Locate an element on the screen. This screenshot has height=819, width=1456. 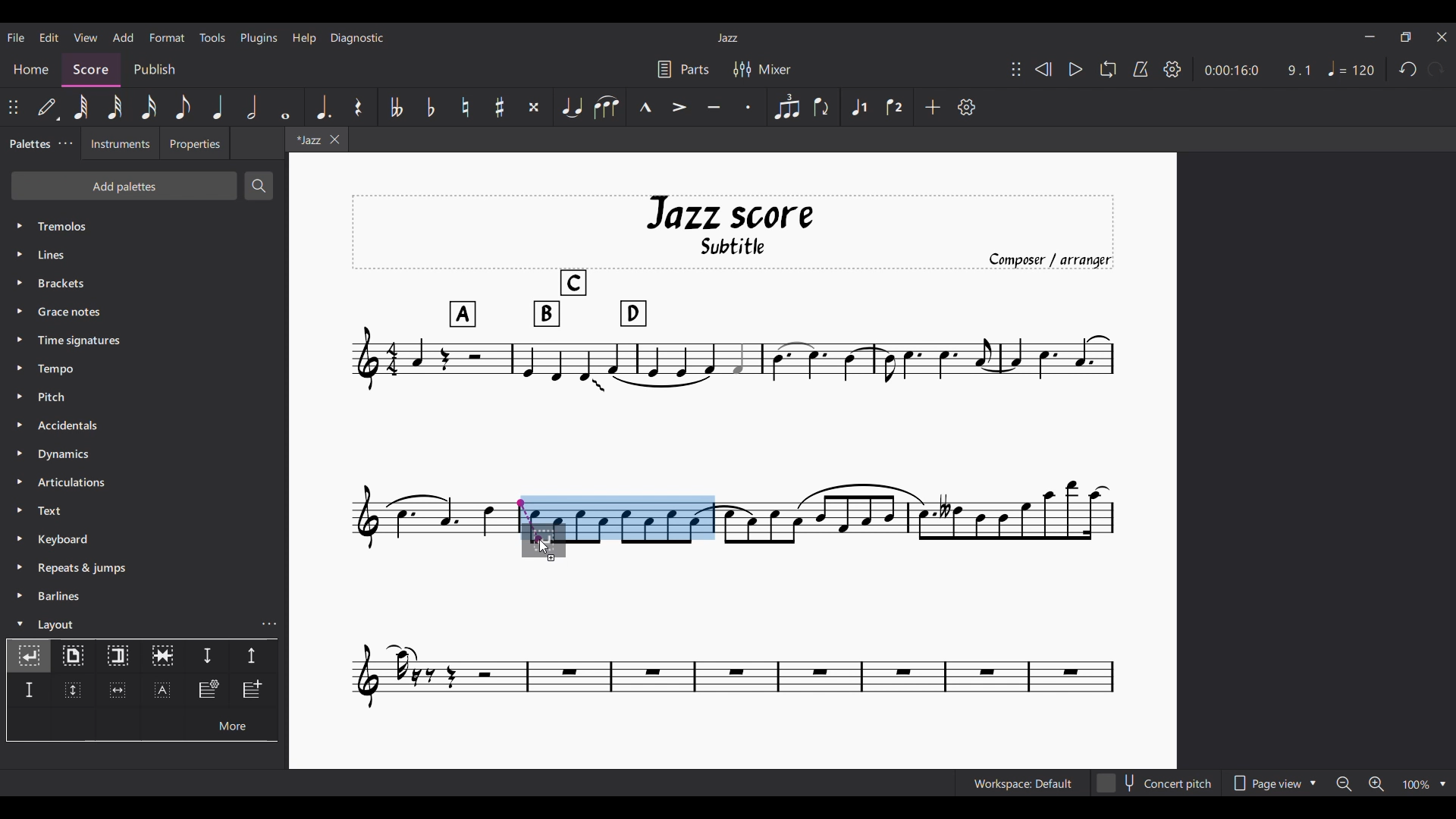
Change position is located at coordinates (13, 107).